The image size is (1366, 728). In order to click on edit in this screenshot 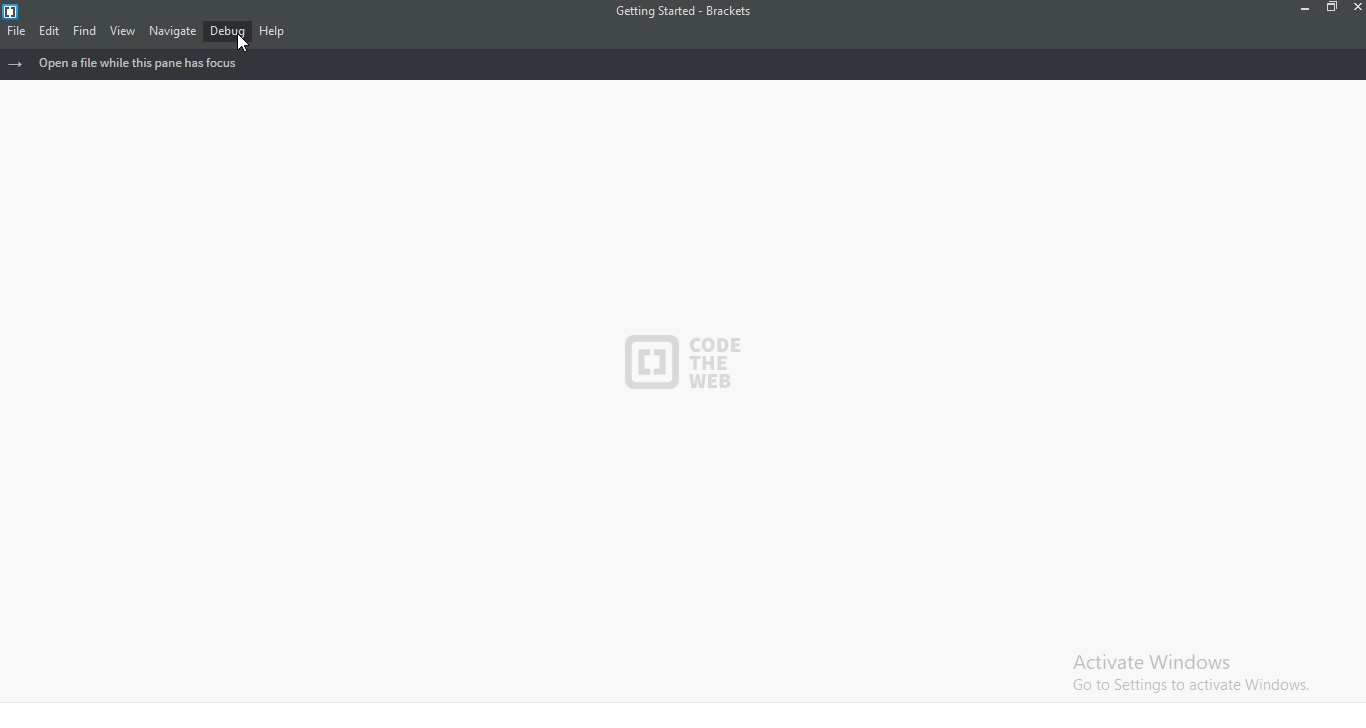, I will do `click(46, 31)`.